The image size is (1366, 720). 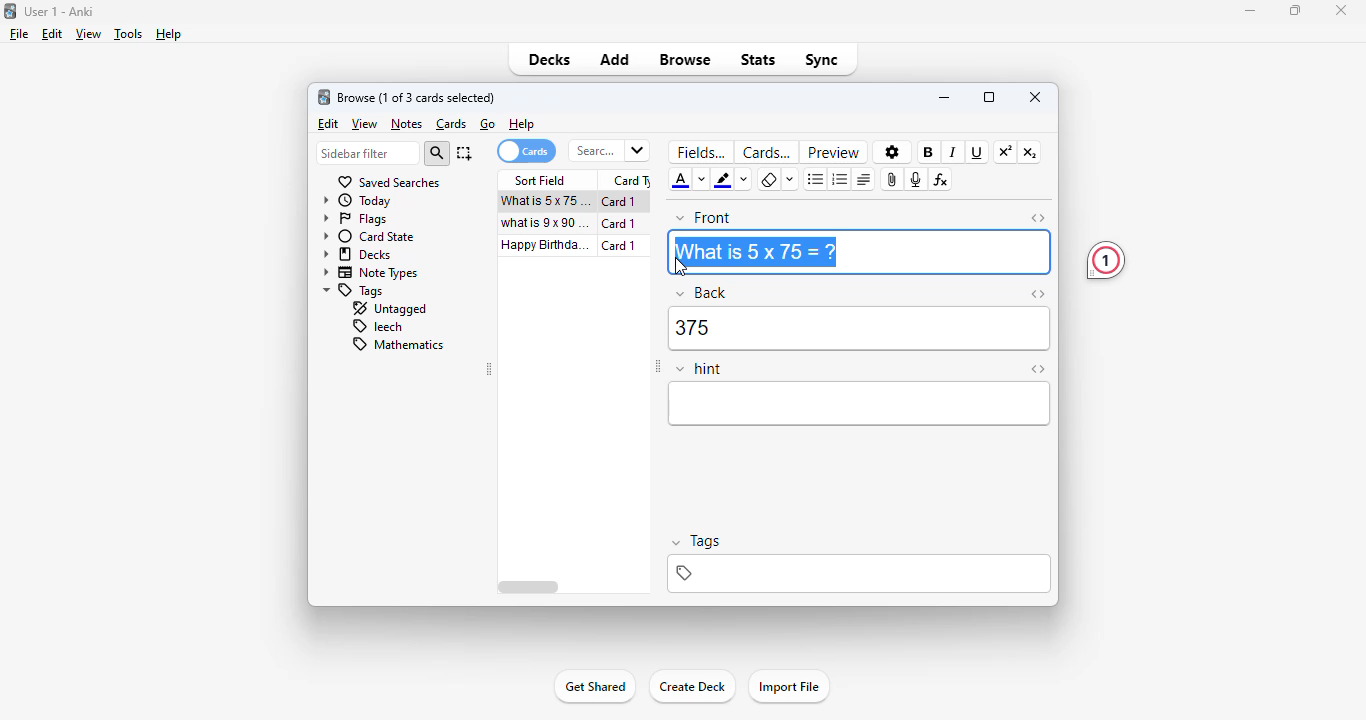 I want to click on notes, so click(x=406, y=124).